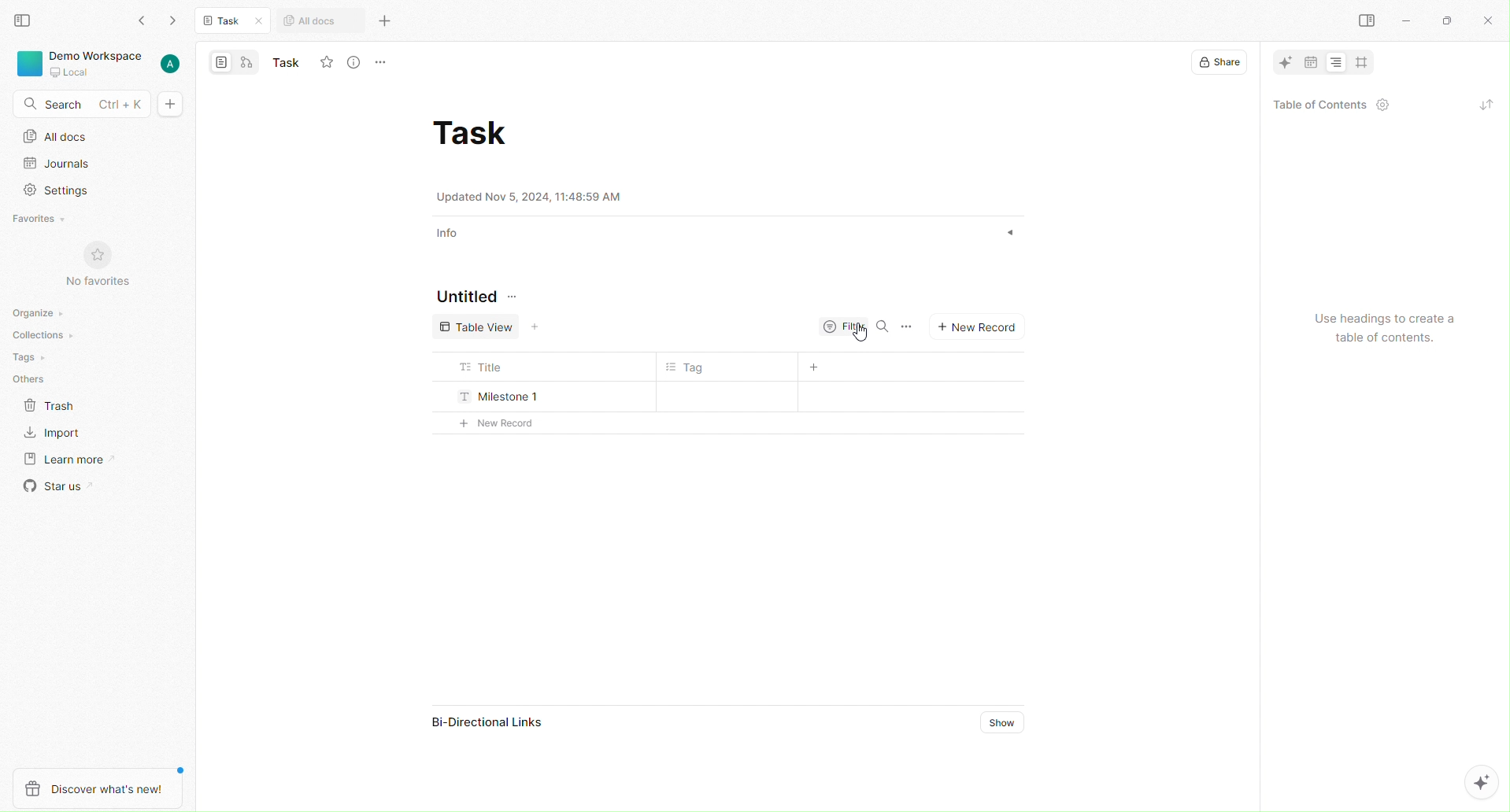 The height and width of the screenshot is (812, 1510). Describe the element at coordinates (55, 487) in the screenshot. I see `Star us` at that location.